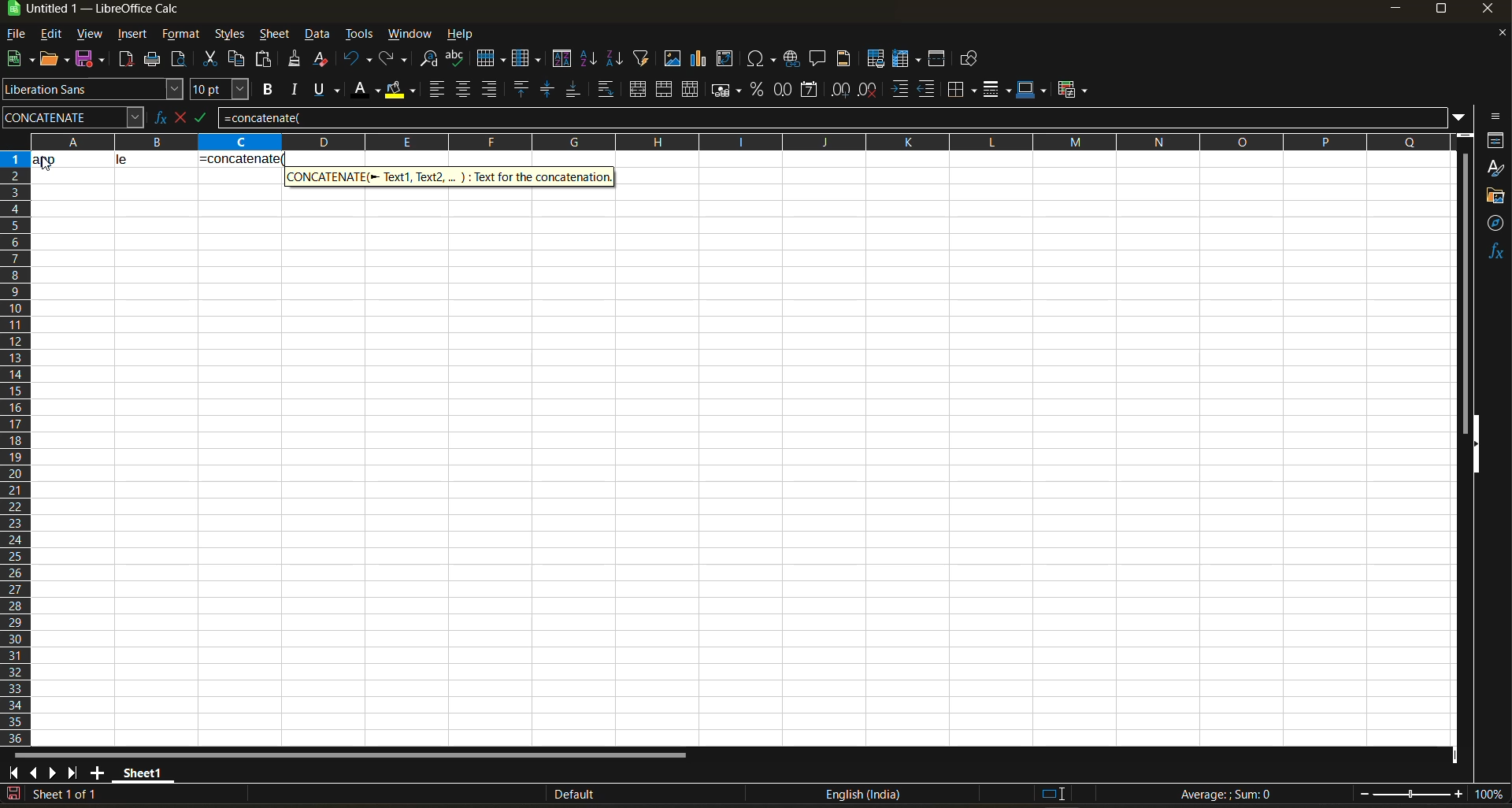 This screenshot has width=1512, height=808. I want to click on save, so click(93, 57).